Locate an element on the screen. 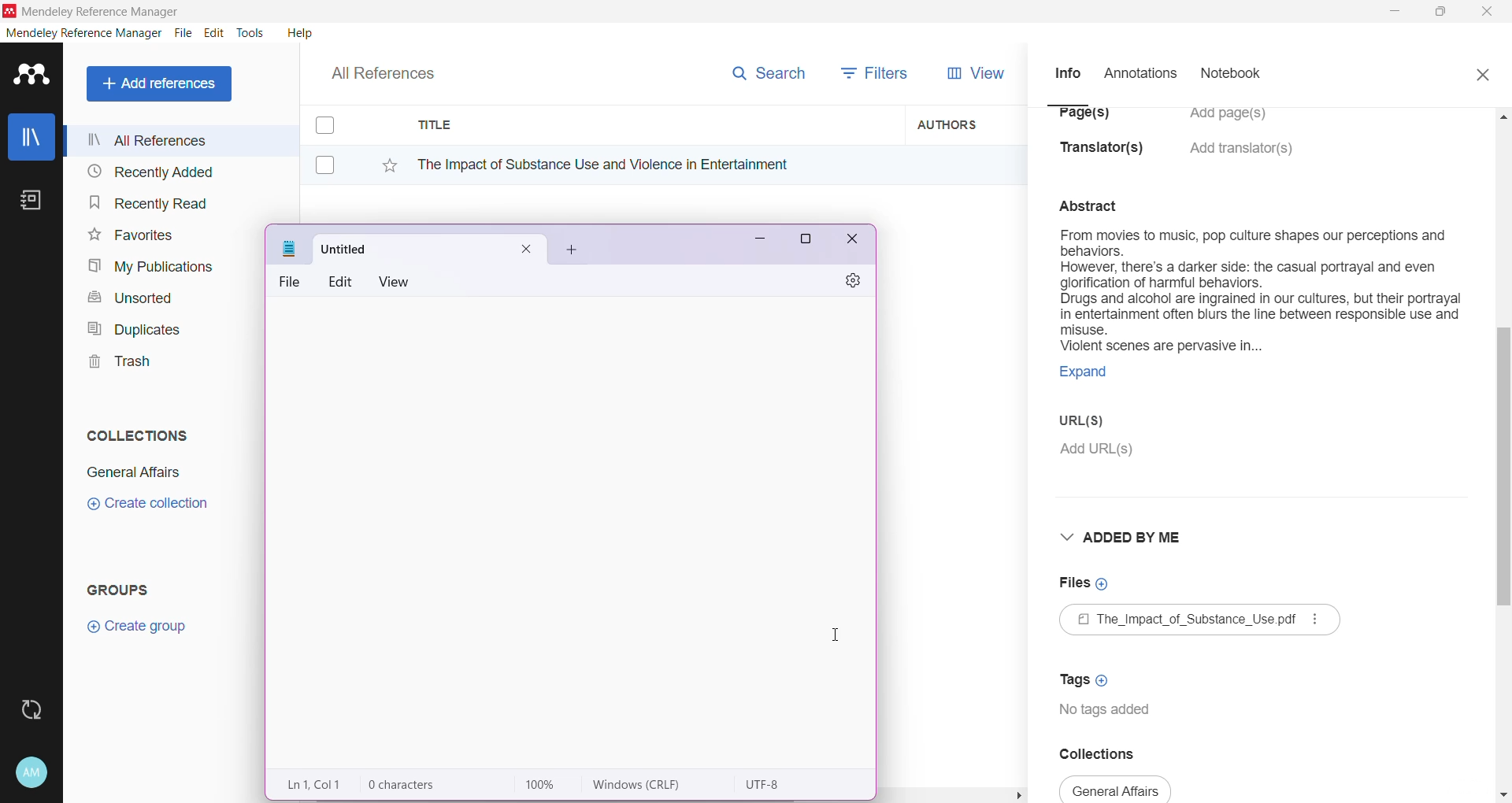 The height and width of the screenshot is (803, 1512). Notepad Icon is located at coordinates (290, 249).